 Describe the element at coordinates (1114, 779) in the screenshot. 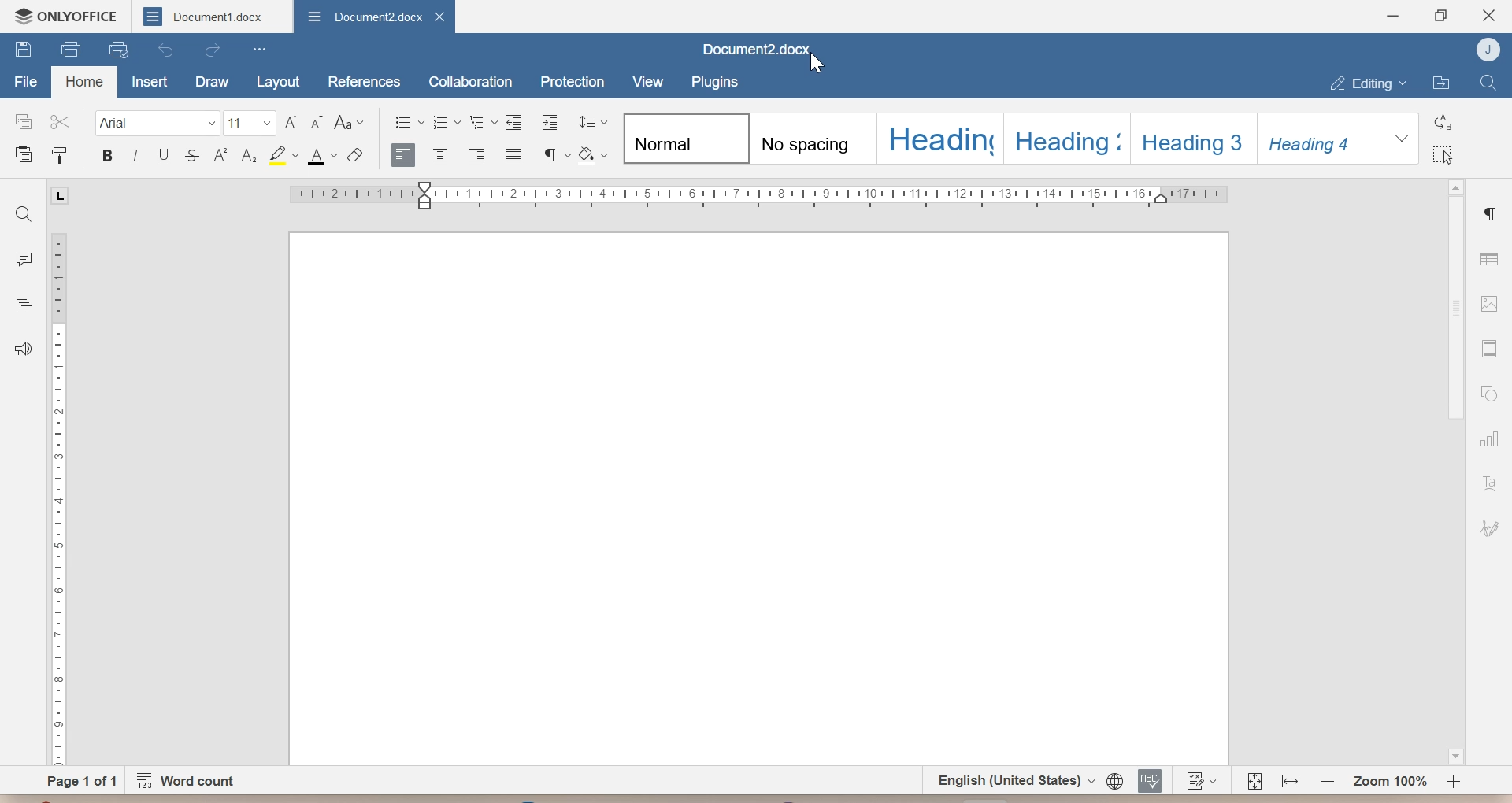

I see `Set document language` at that location.